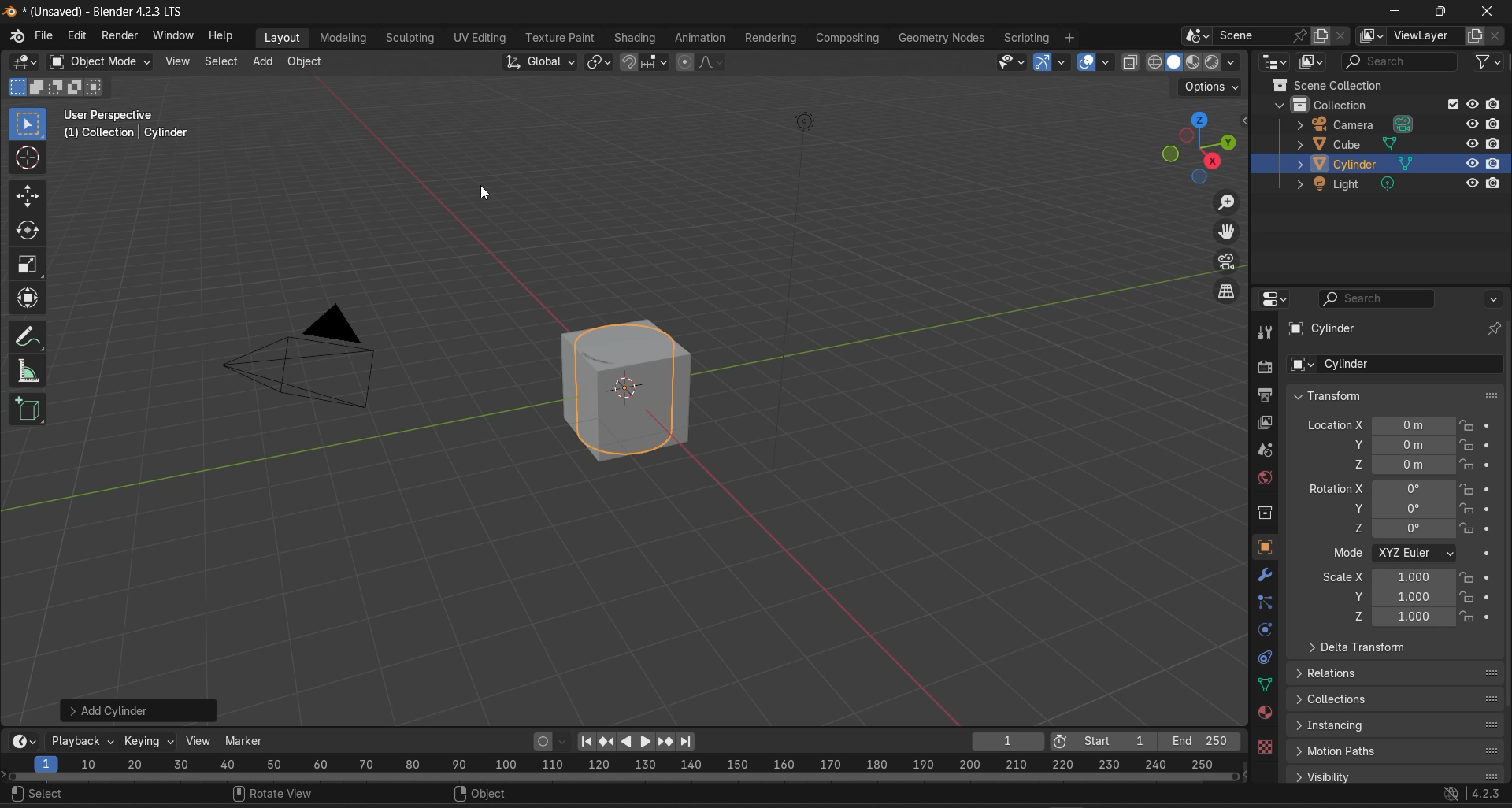  I want to click on lock scale, so click(1468, 617).